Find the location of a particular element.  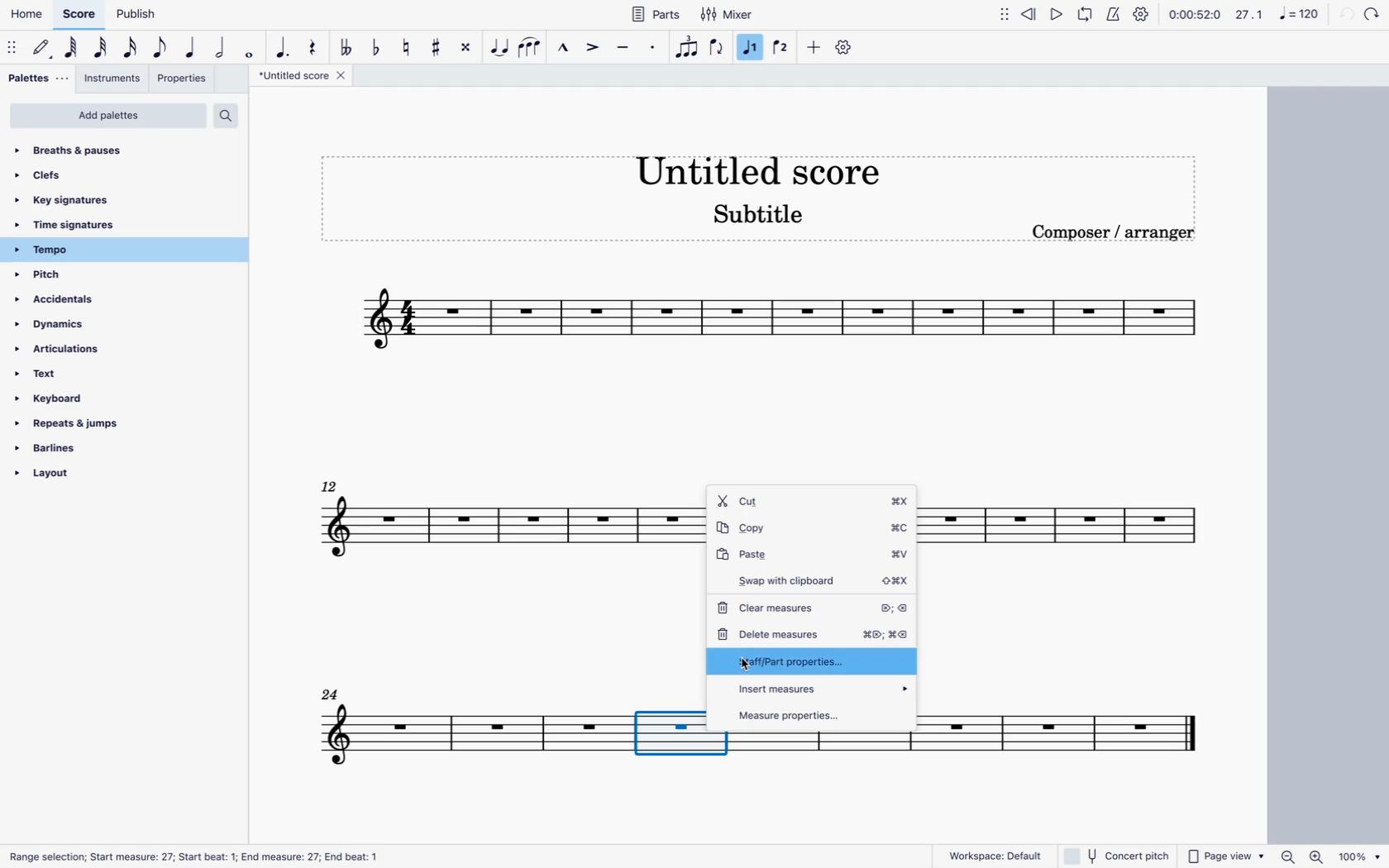

play is located at coordinates (1055, 14).